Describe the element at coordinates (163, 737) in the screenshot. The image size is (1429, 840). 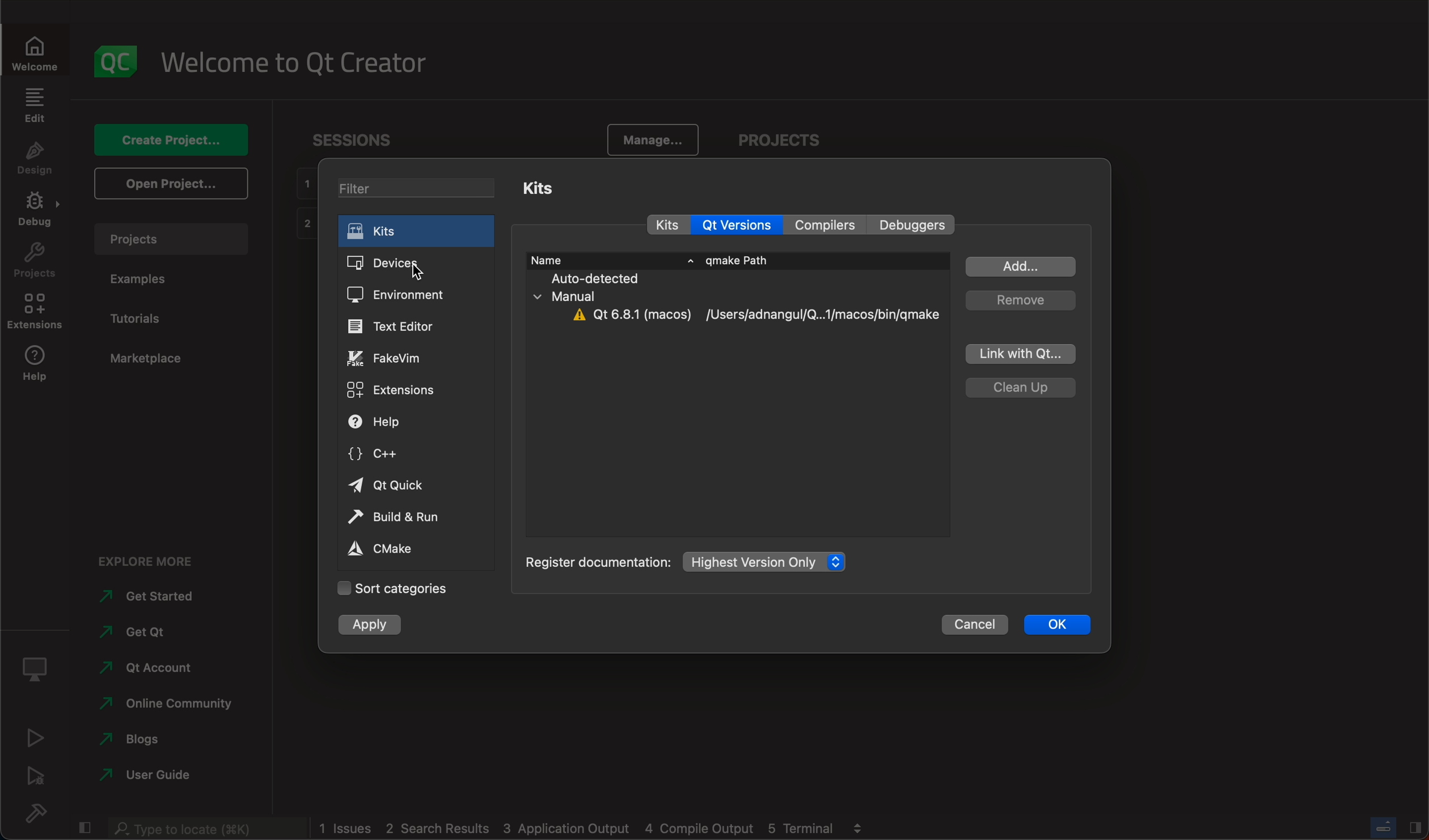
I see `blogs` at that location.